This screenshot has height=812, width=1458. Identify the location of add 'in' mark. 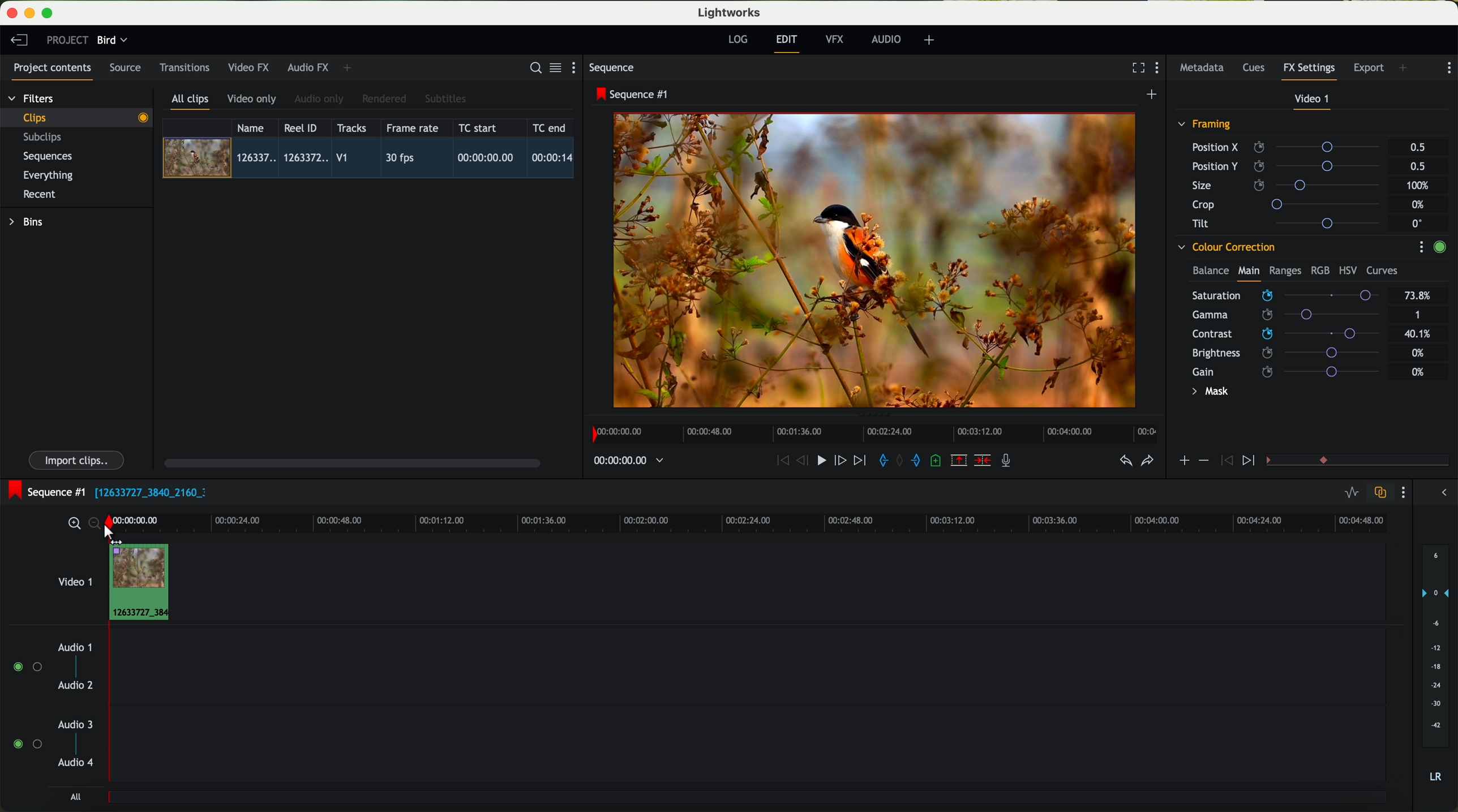
(880, 462).